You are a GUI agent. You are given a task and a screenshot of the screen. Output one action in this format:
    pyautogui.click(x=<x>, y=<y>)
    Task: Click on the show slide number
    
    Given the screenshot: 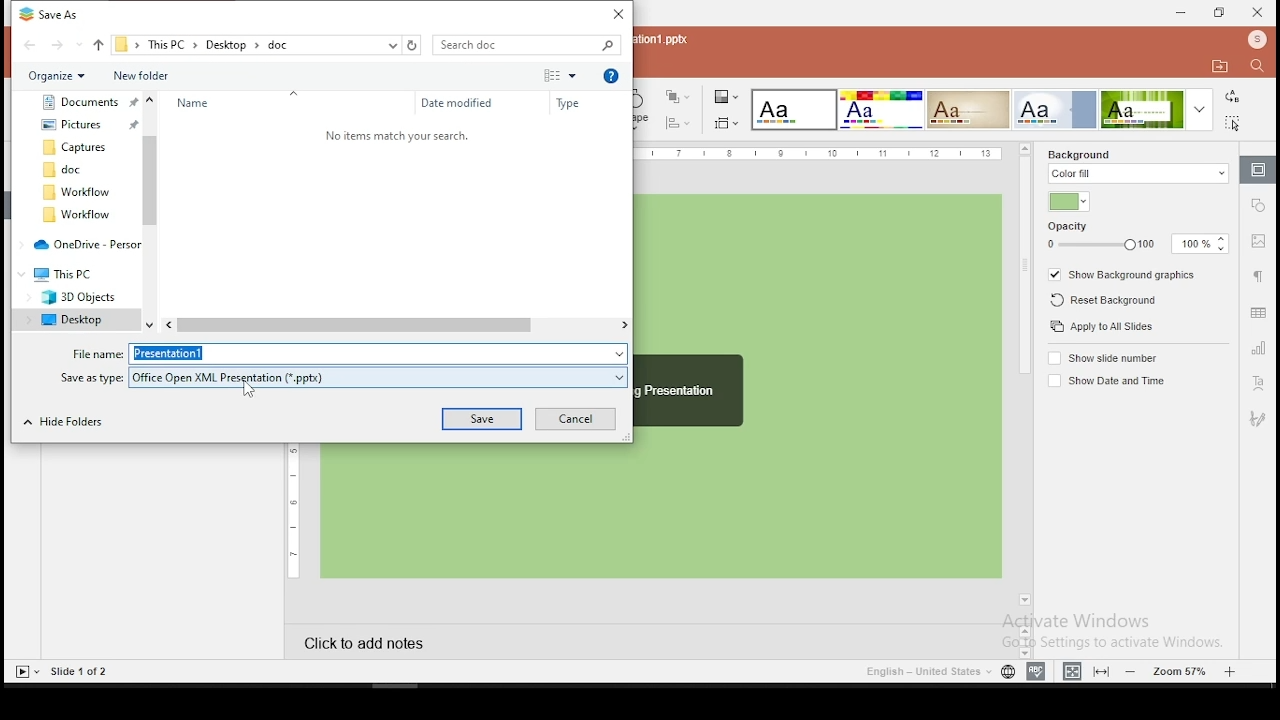 What is the action you would take?
    pyautogui.click(x=1107, y=358)
    